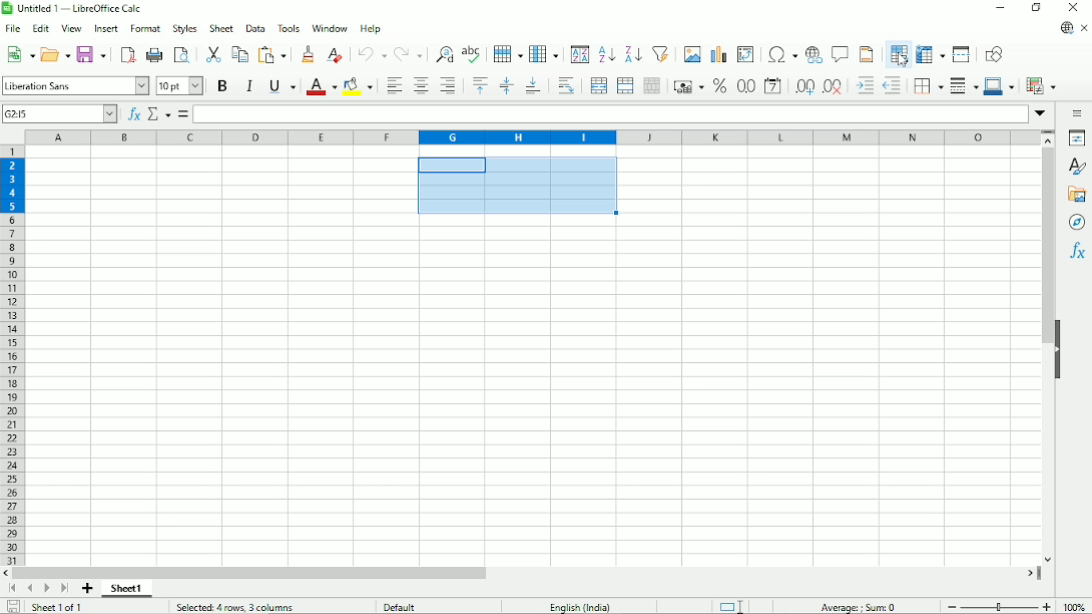 The image size is (1092, 614). Describe the element at coordinates (1077, 607) in the screenshot. I see `Zoom factor` at that location.